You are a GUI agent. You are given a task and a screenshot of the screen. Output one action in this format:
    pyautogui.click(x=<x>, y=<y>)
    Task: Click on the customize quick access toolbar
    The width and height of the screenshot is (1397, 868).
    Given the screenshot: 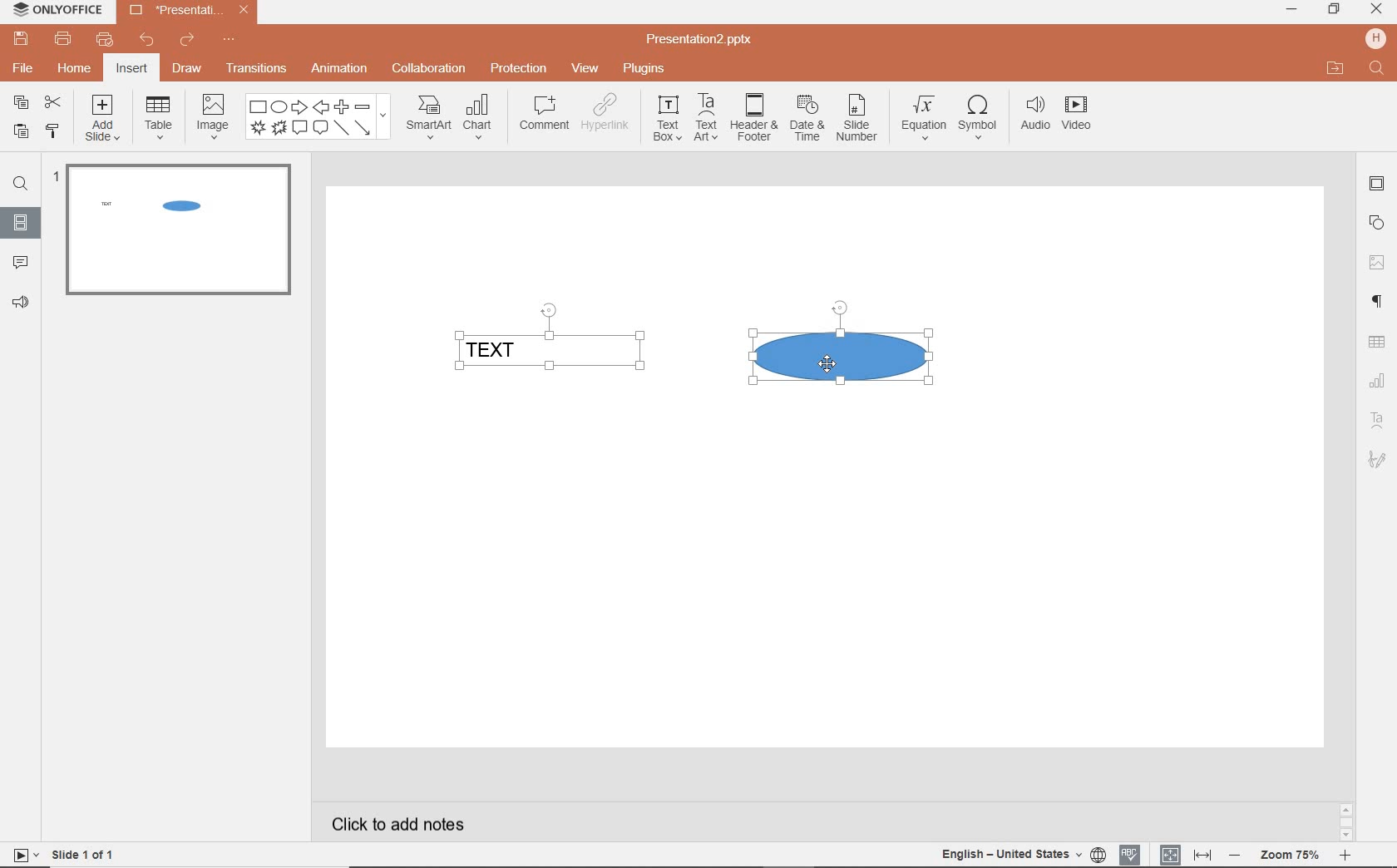 What is the action you would take?
    pyautogui.click(x=228, y=40)
    